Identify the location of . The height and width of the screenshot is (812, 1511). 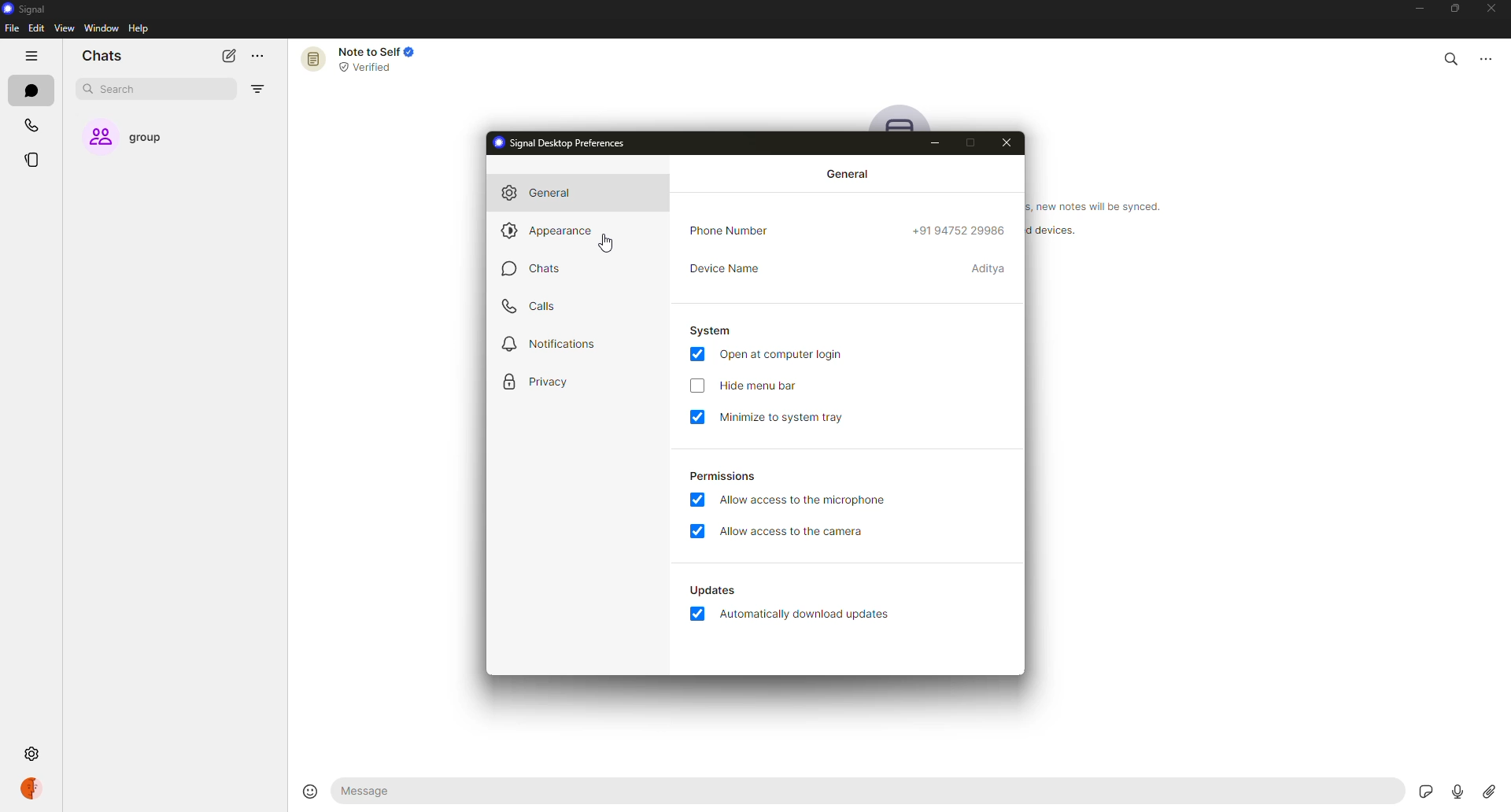
(1048, 231).